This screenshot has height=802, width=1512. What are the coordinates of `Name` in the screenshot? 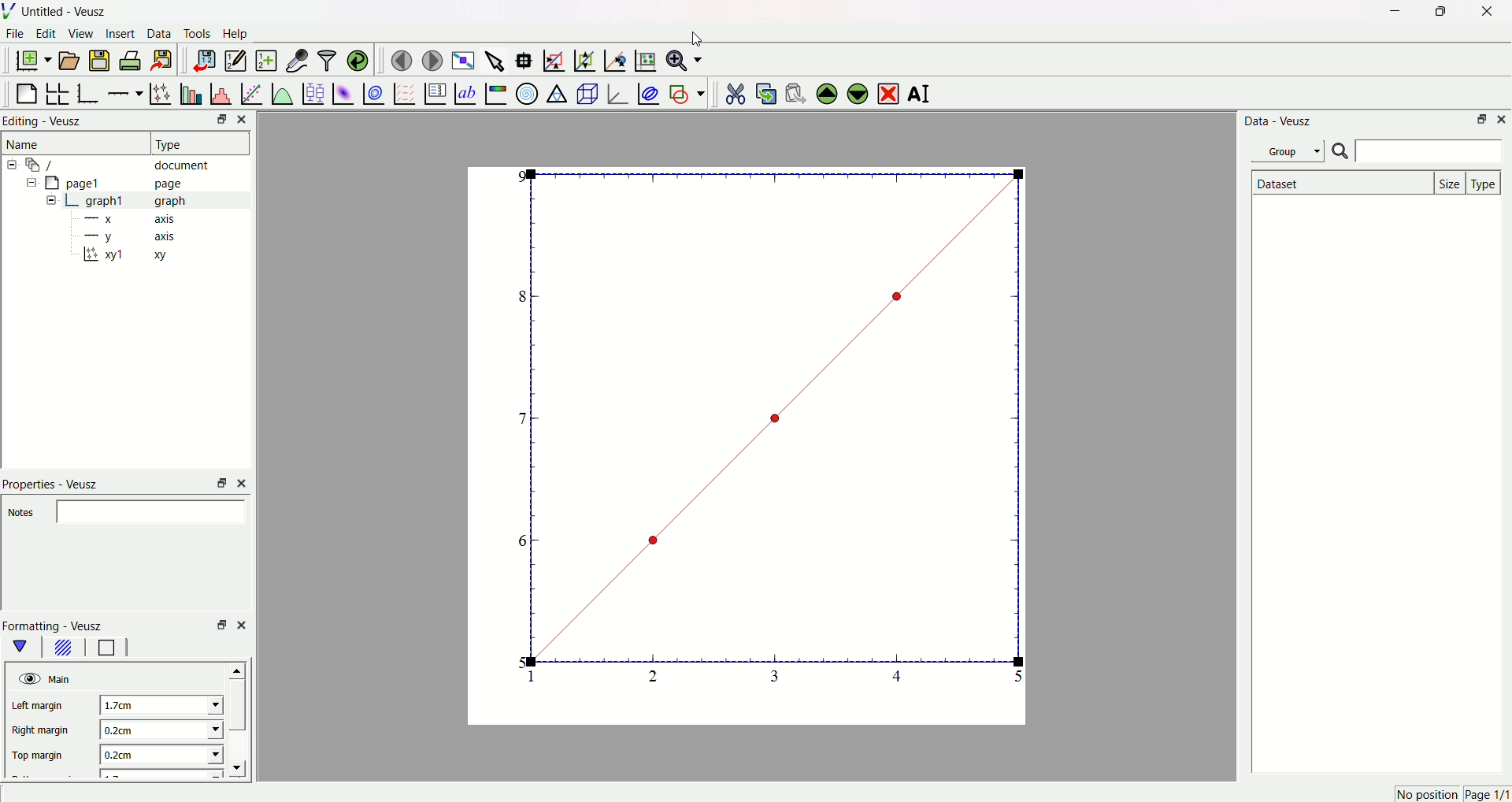 It's located at (26, 144).